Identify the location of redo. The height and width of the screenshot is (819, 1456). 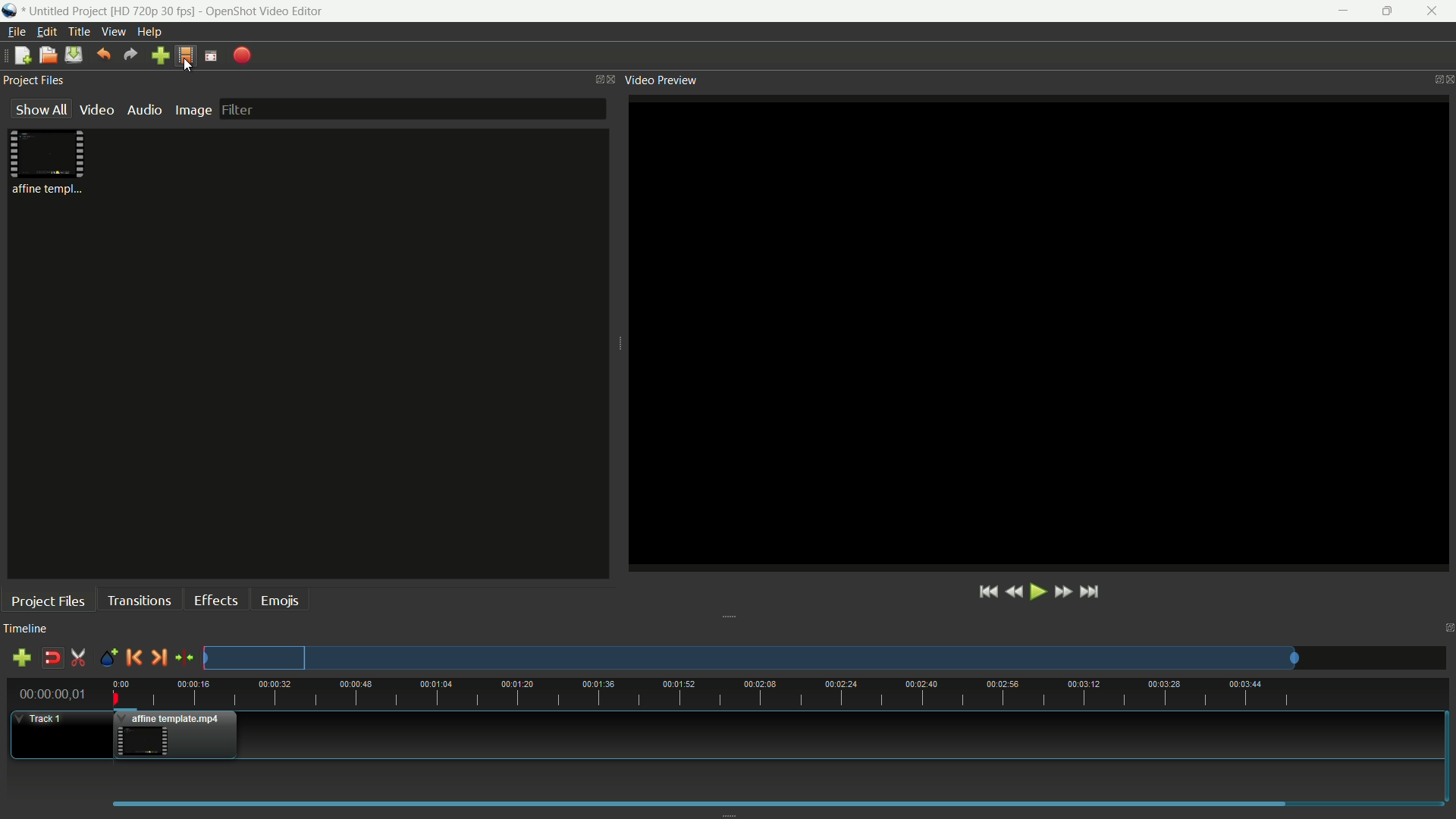
(131, 55).